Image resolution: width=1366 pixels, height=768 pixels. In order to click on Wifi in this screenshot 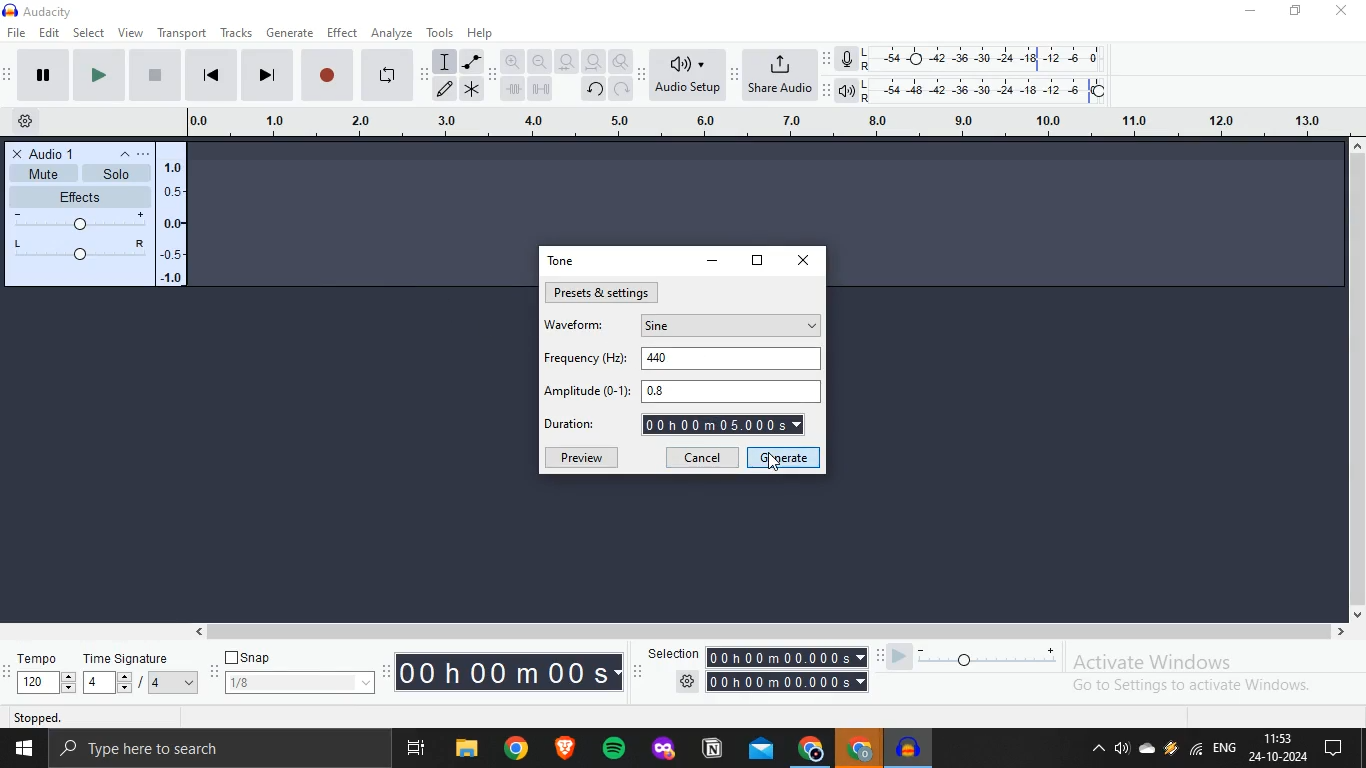, I will do `click(1197, 752)`.